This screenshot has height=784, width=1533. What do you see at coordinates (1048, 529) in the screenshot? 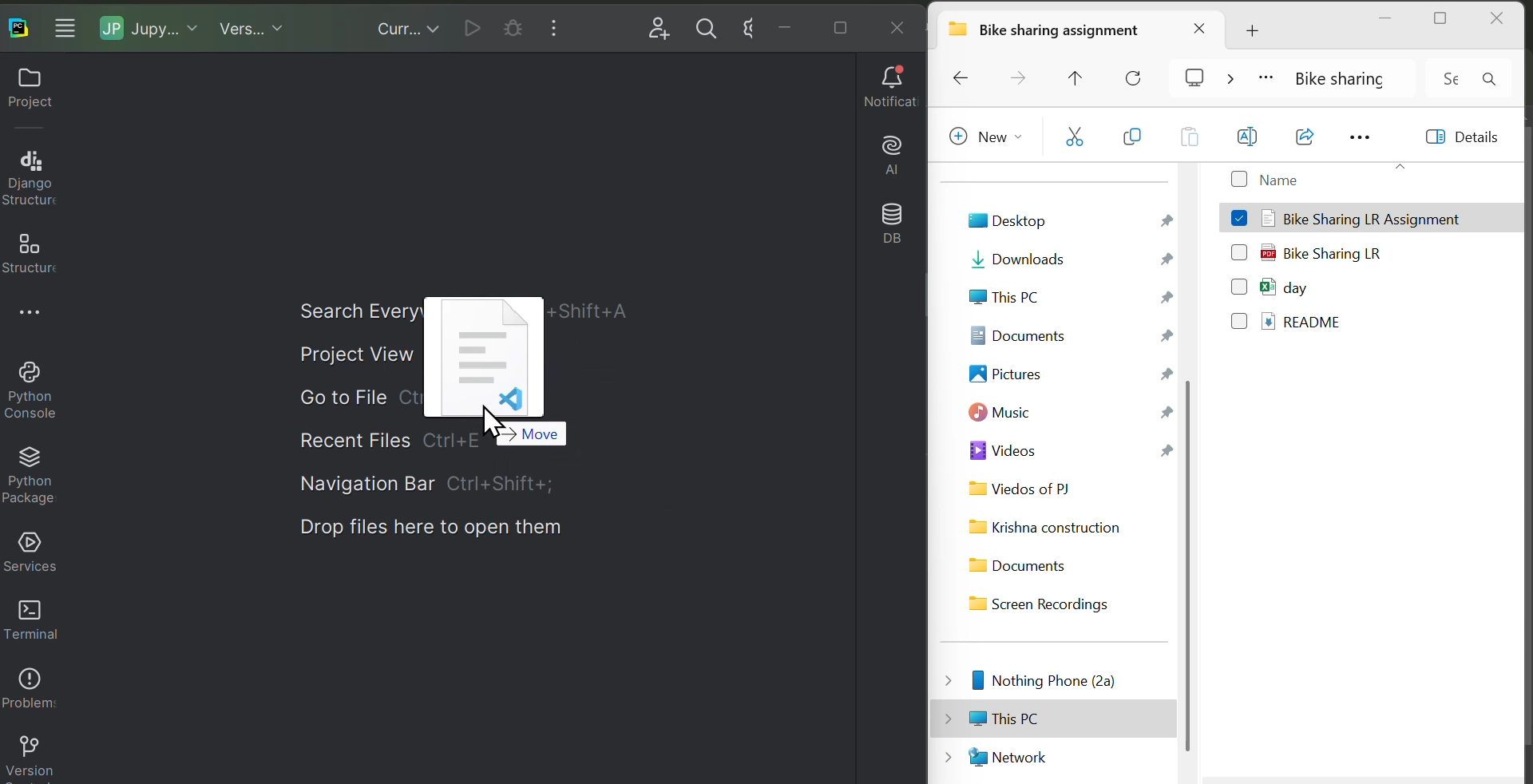
I see `Krishna construction` at bounding box center [1048, 529].